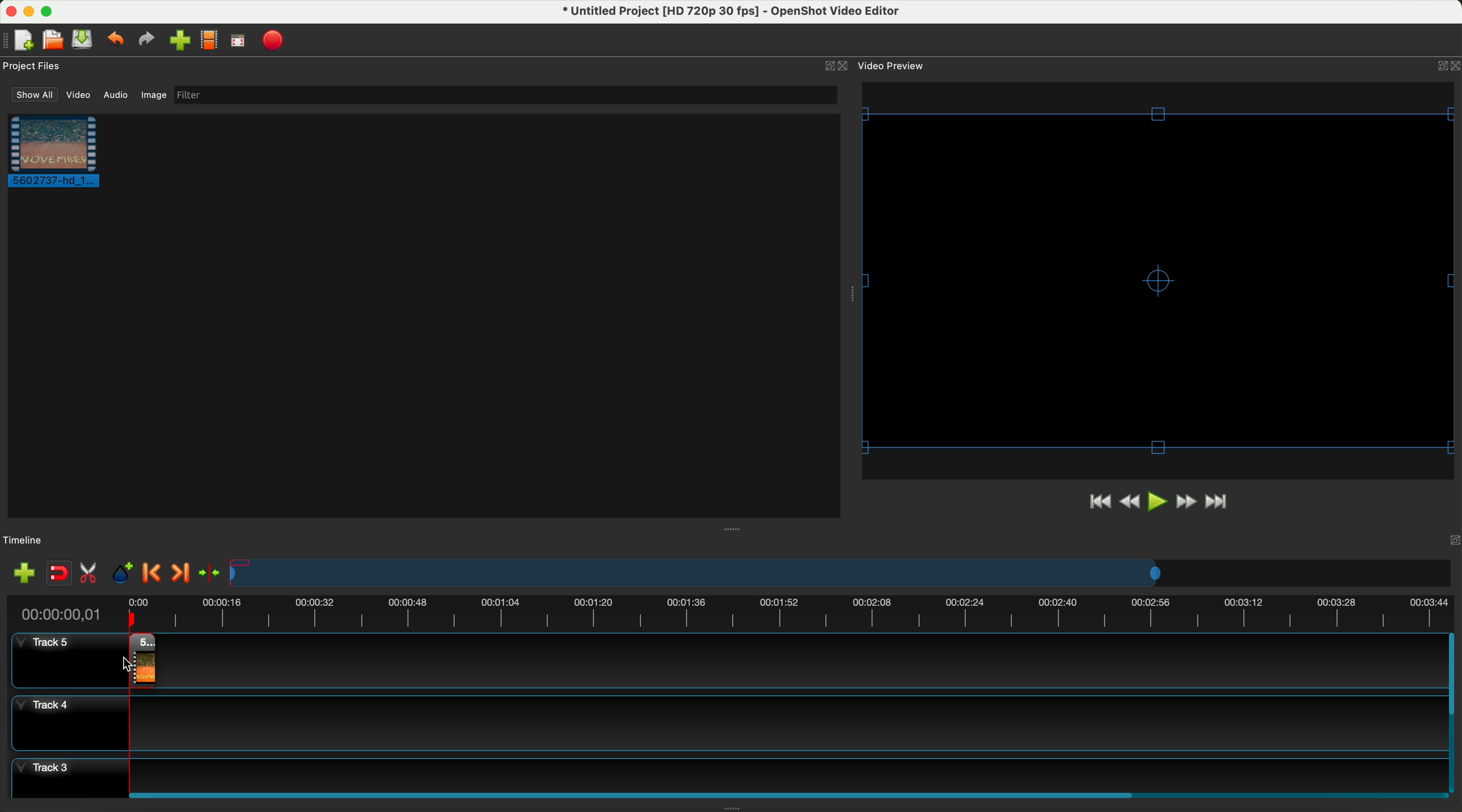  What do you see at coordinates (34, 94) in the screenshot?
I see `show all` at bounding box center [34, 94].